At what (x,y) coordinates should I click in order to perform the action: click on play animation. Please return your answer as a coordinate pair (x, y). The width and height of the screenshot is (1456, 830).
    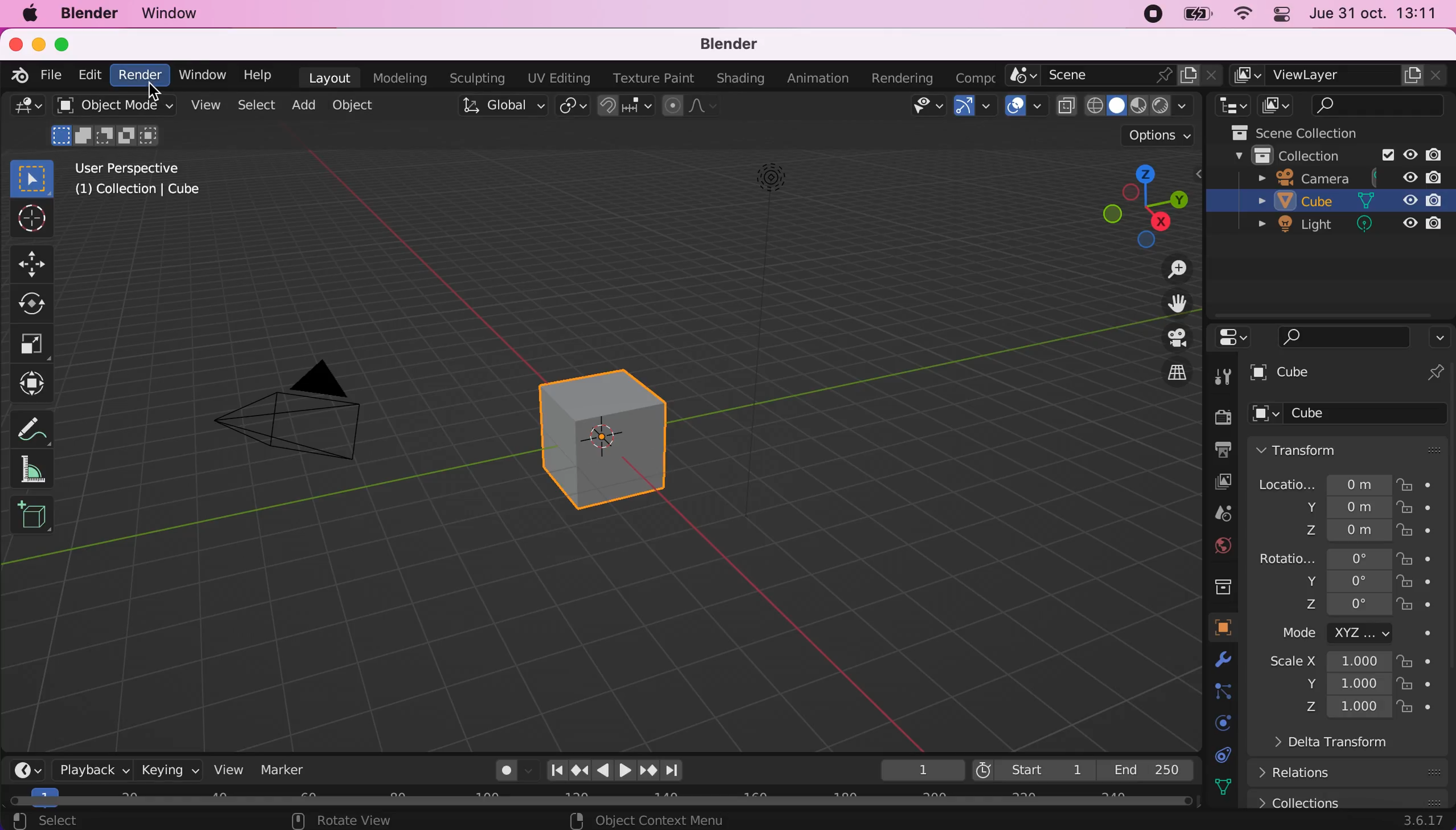
    Looking at the image, I should click on (602, 770).